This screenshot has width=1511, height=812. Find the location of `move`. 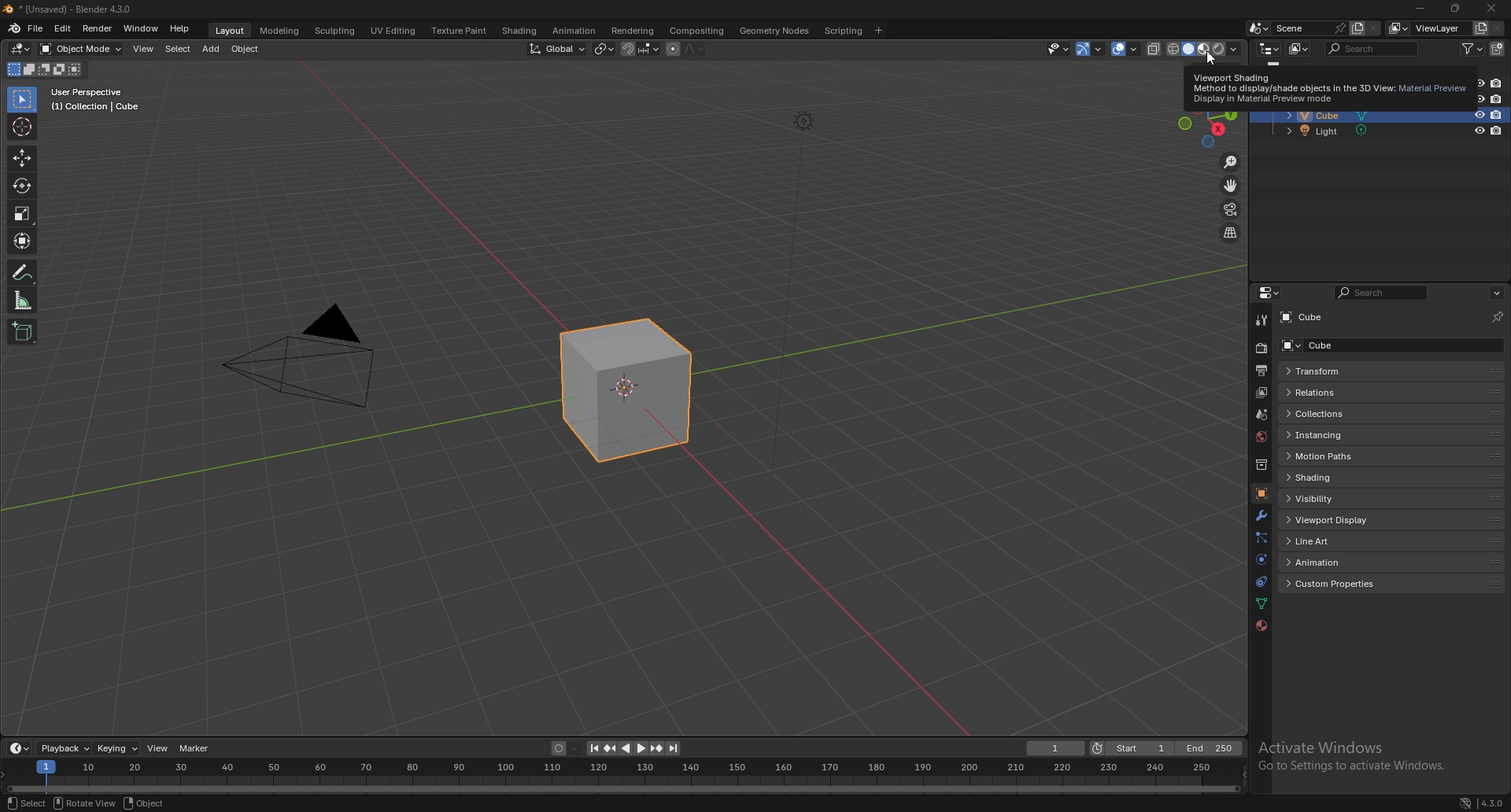

move is located at coordinates (1231, 186).